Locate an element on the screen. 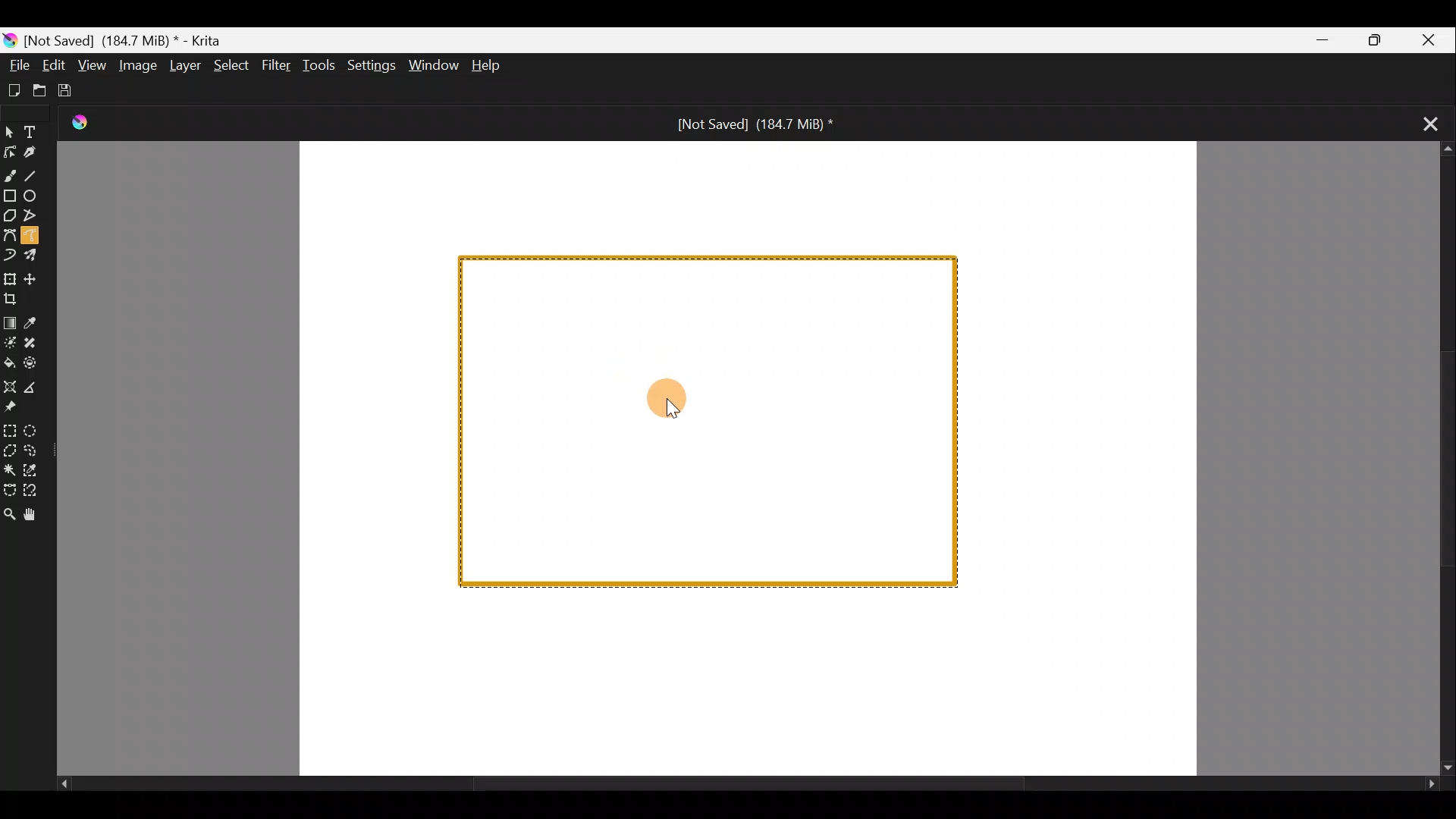  Enclose & fill tool is located at coordinates (33, 366).